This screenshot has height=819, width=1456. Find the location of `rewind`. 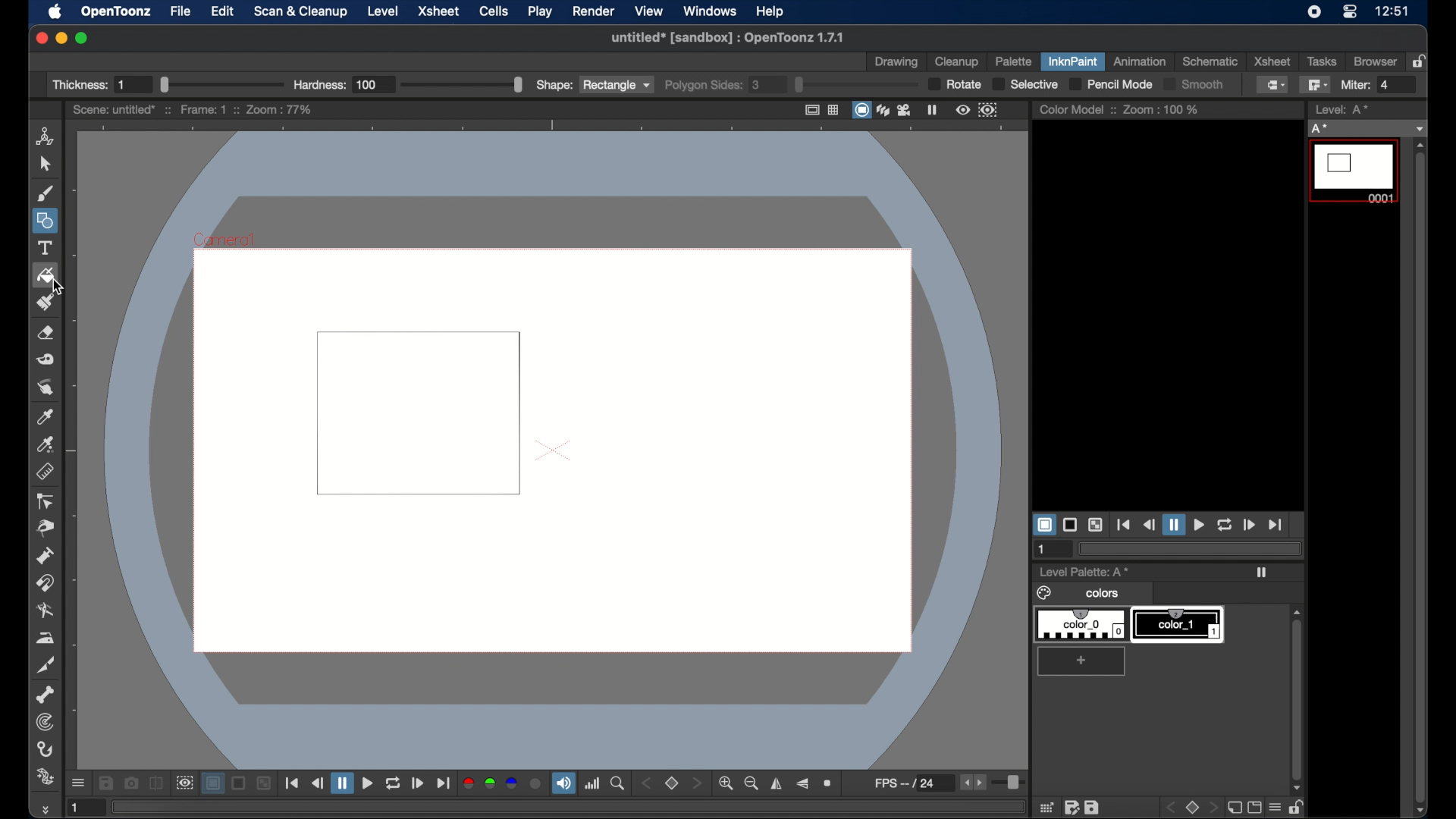

rewind is located at coordinates (1148, 525).